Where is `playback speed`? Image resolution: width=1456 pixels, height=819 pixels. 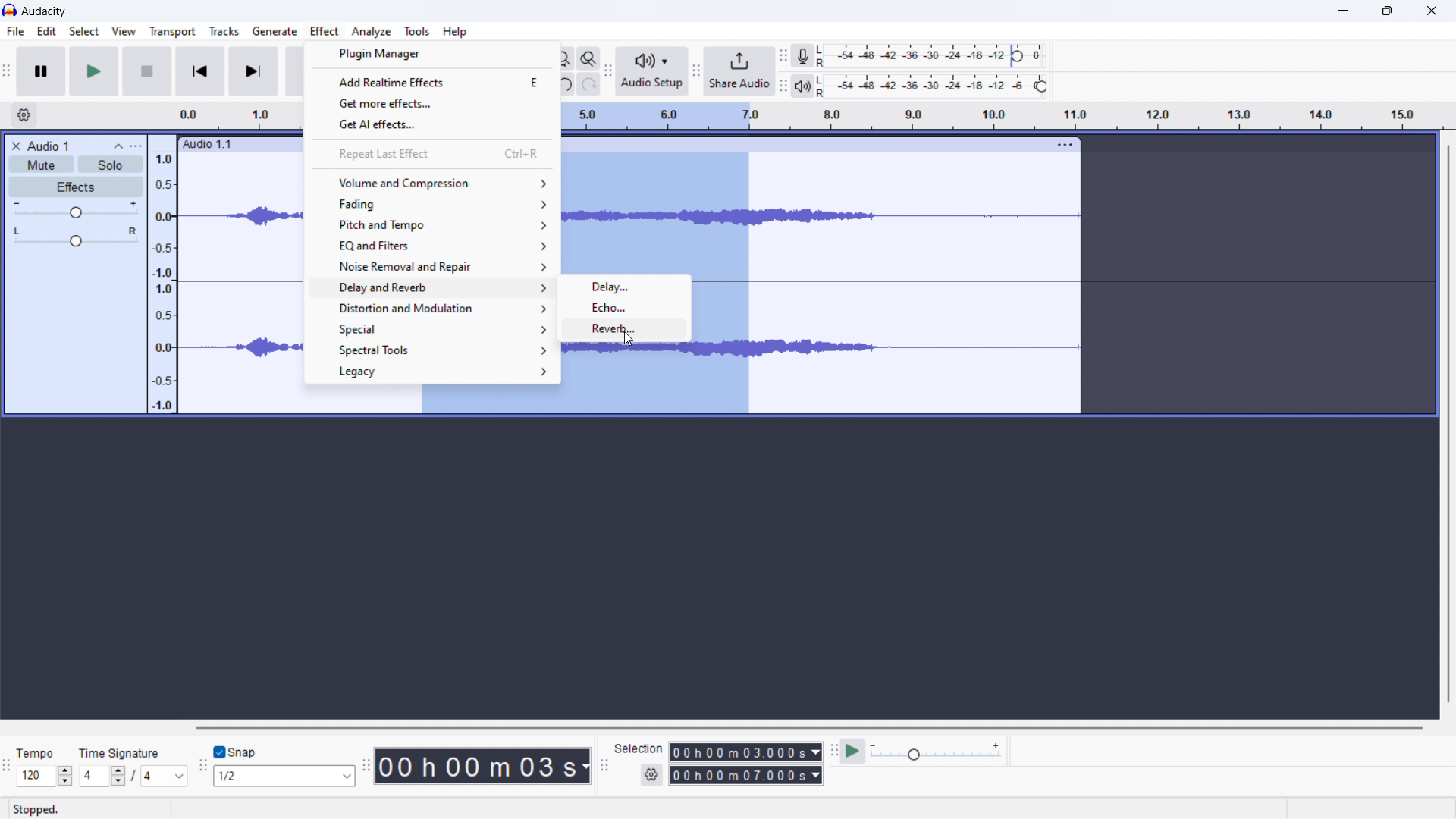 playback speed is located at coordinates (935, 751).